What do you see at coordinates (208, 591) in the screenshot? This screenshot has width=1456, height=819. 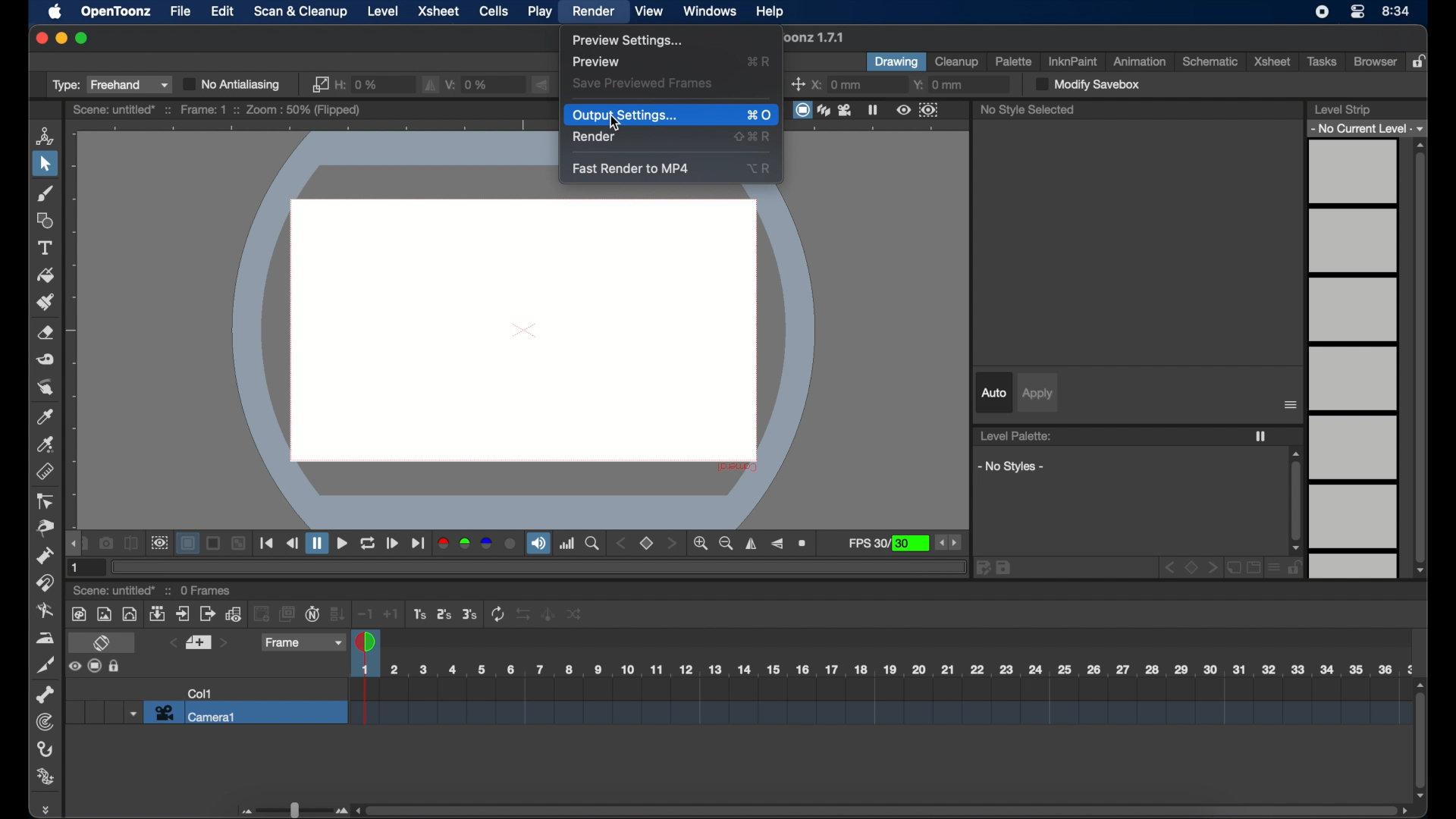 I see `` at bounding box center [208, 591].